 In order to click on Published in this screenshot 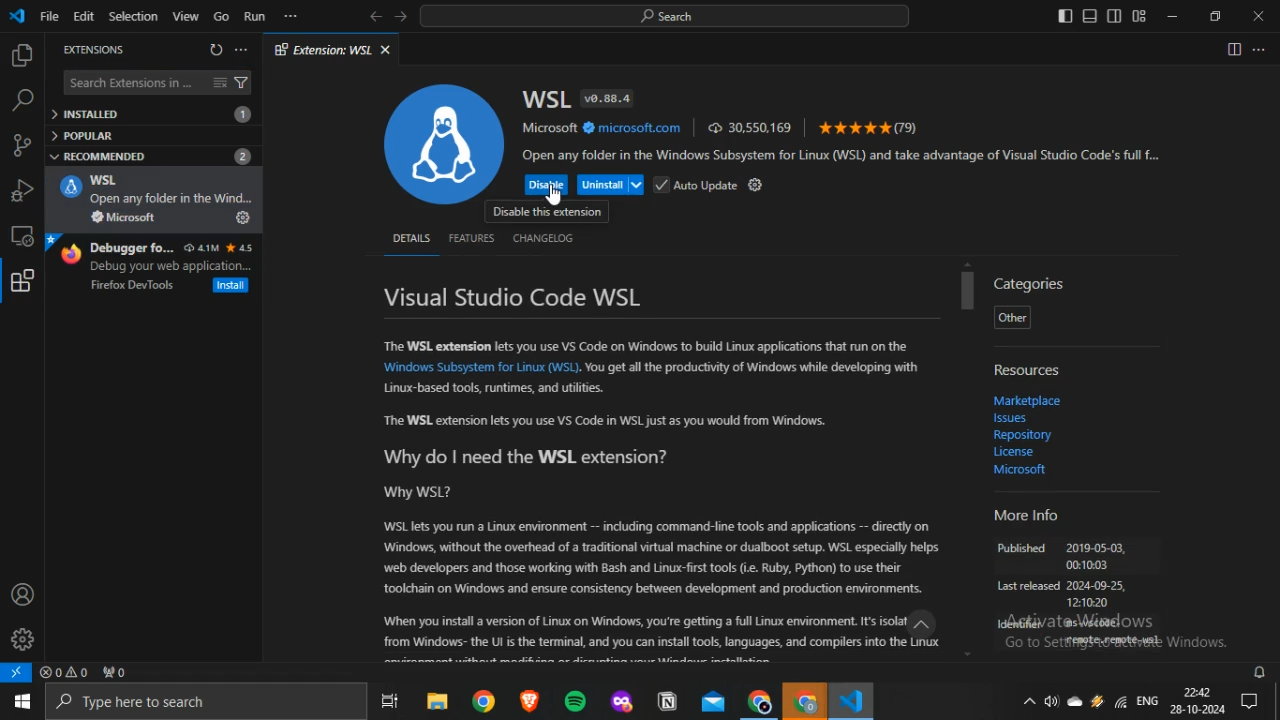, I will do `click(1022, 550)`.